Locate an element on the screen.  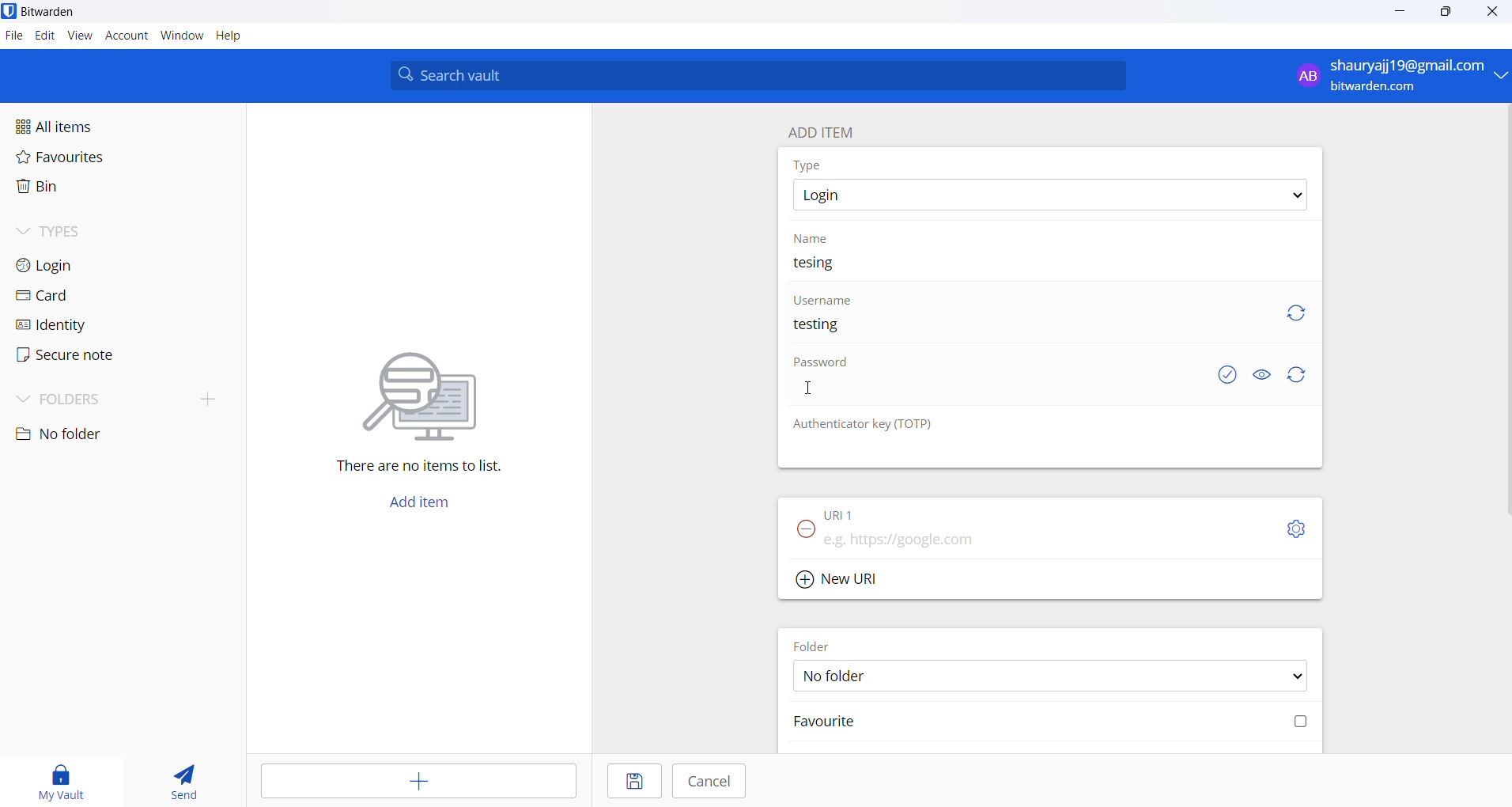
application logo is located at coordinates (10, 11).